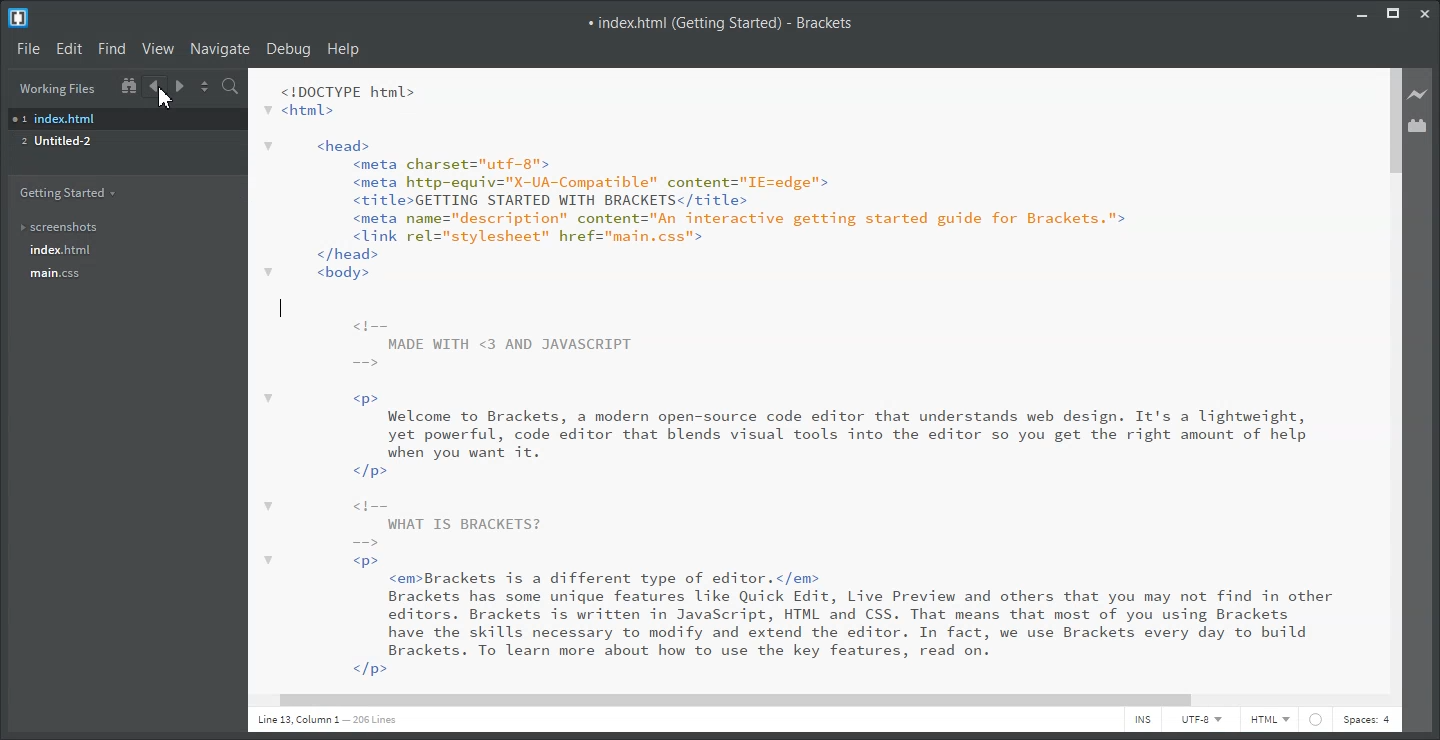 The width and height of the screenshot is (1440, 740). Describe the element at coordinates (1420, 126) in the screenshot. I see `Extension Manager` at that location.